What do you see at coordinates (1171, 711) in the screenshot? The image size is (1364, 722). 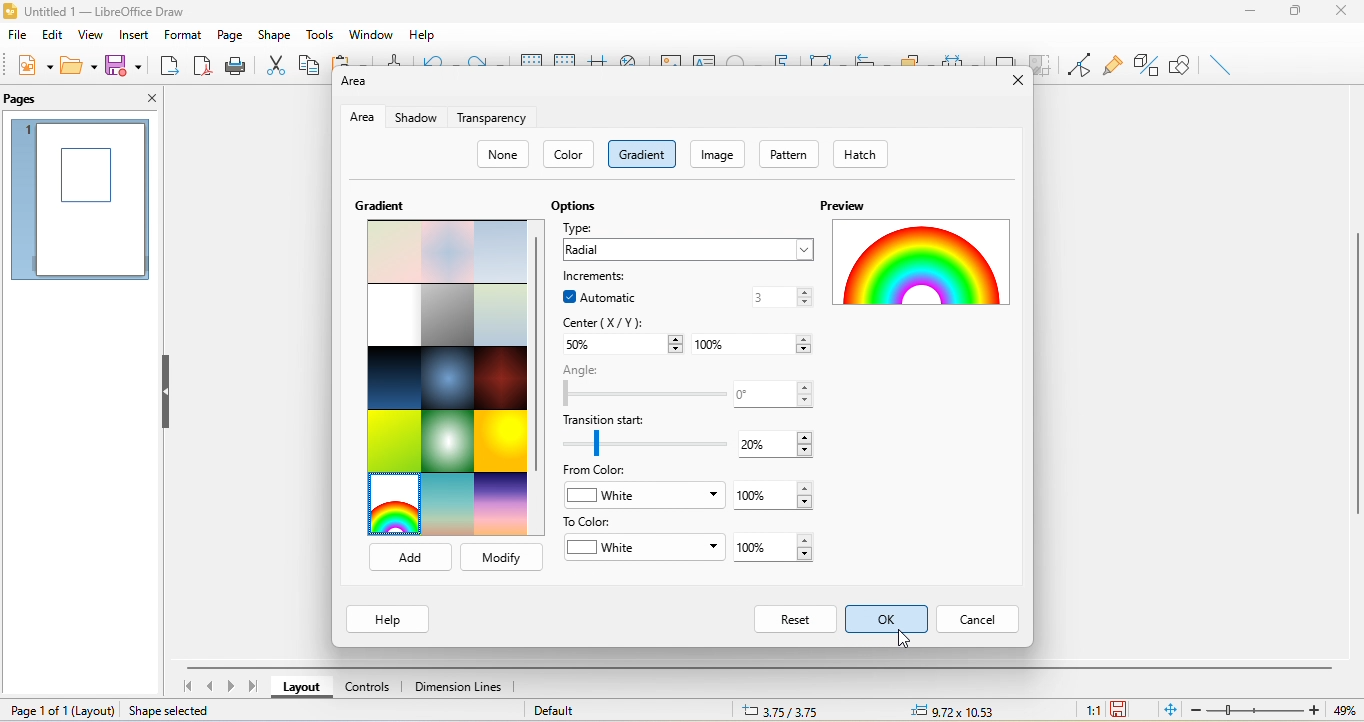 I see `fit to the current window` at bounding box center [1171, 711].